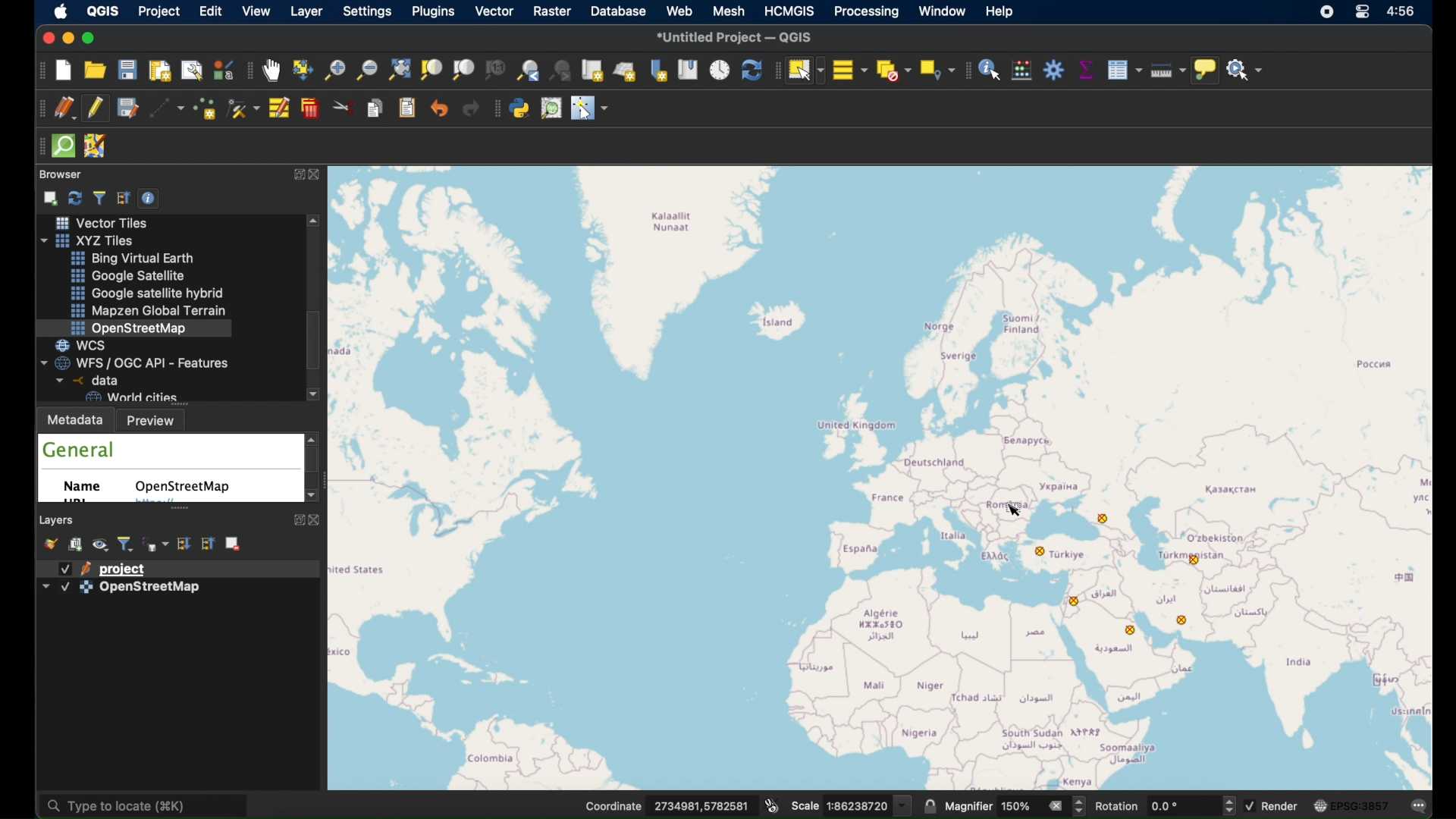  I want to click on digitize with segment, so click(169, 110).